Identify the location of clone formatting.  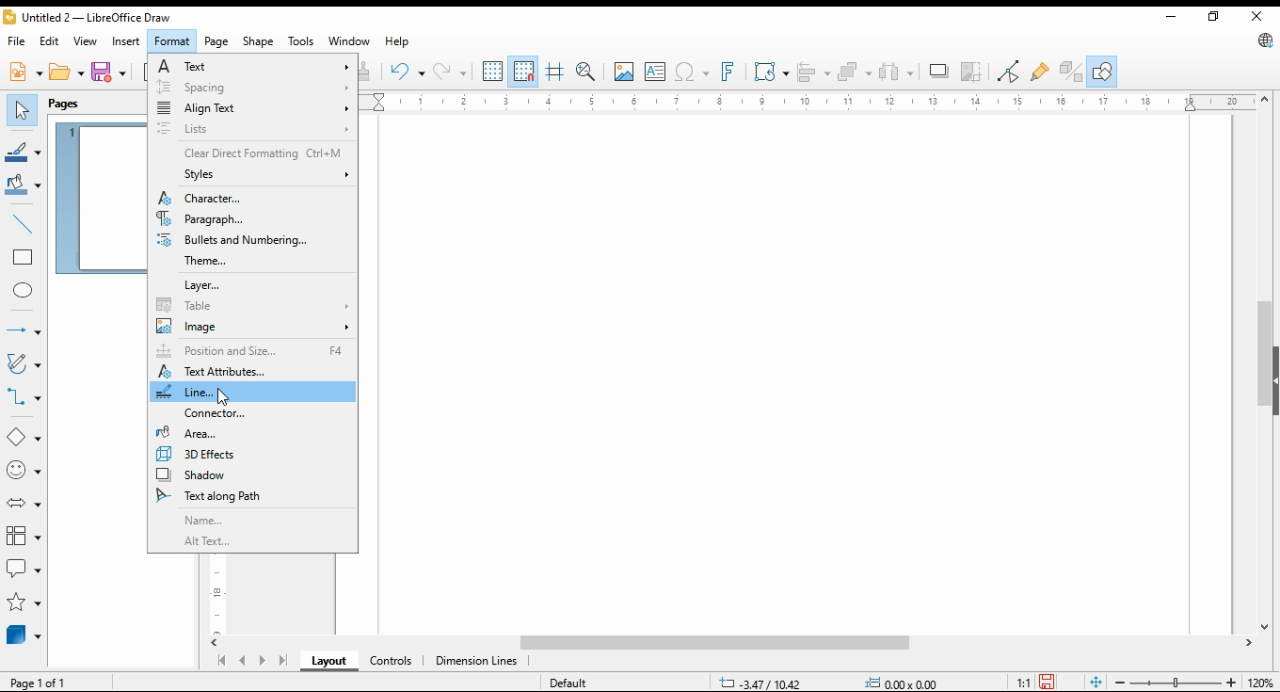
(367, 72).